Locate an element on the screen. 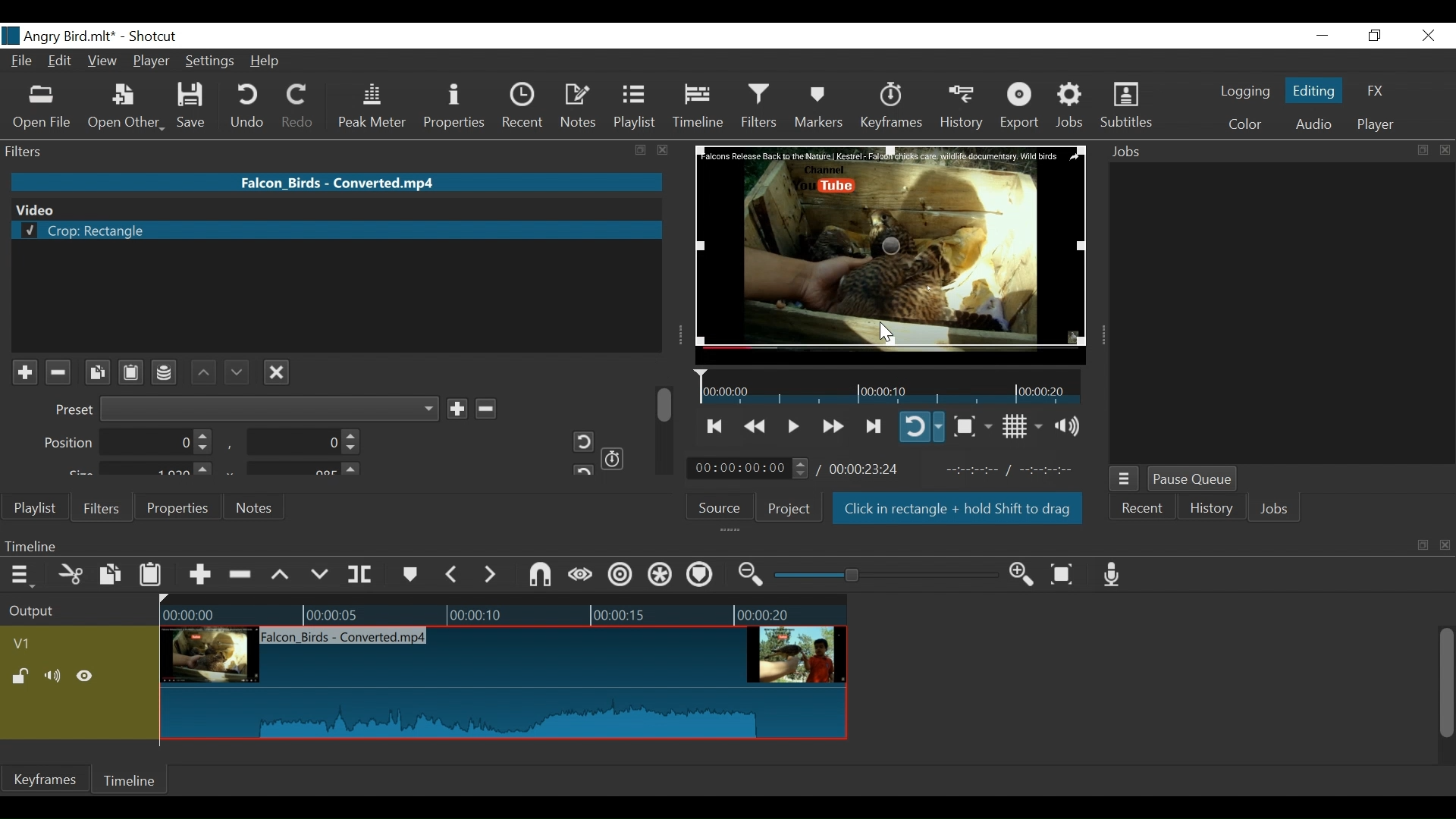  Filters is located at coordinates (761, 105).